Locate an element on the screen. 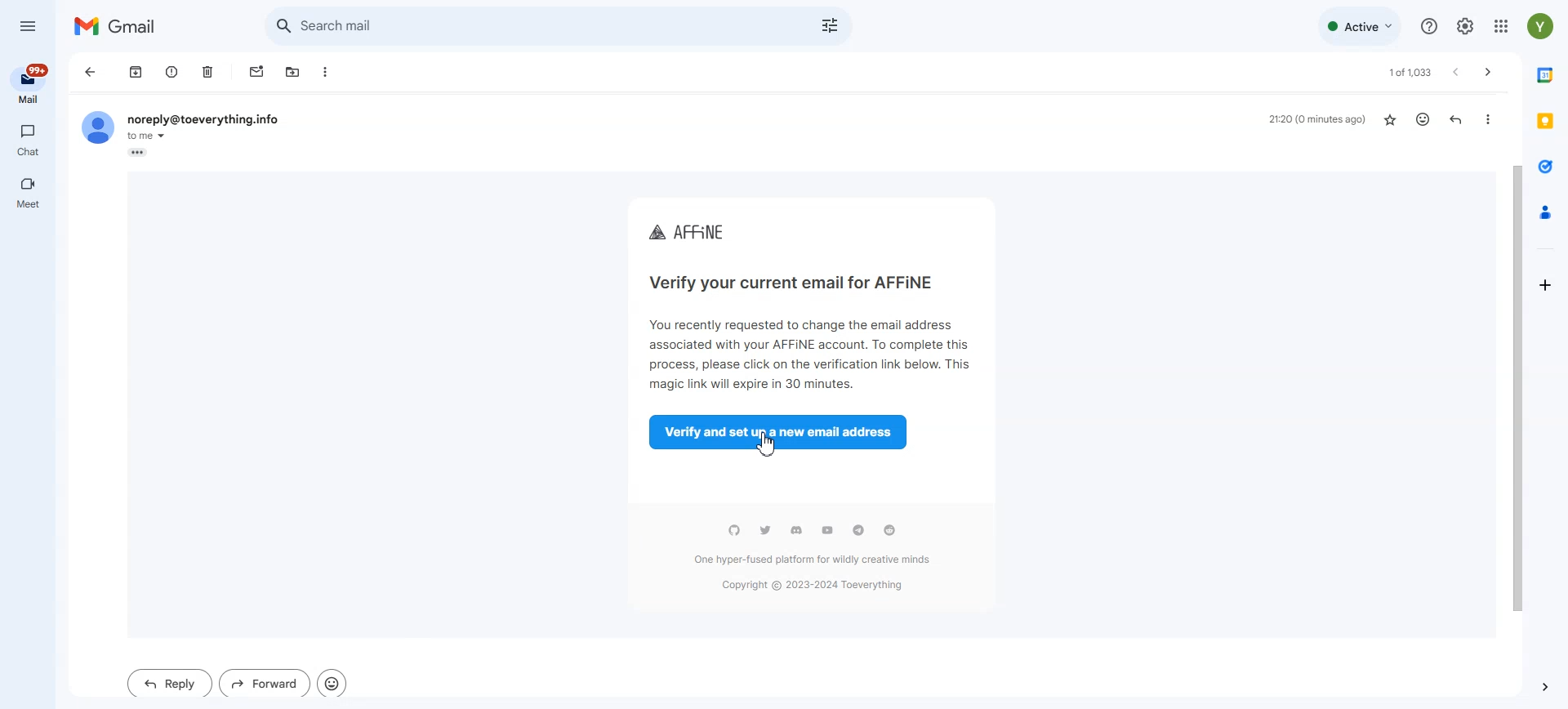 The height and width of the screenshot is (709, 1568). 1 of 1003 is located at coordinates (1405, 73).